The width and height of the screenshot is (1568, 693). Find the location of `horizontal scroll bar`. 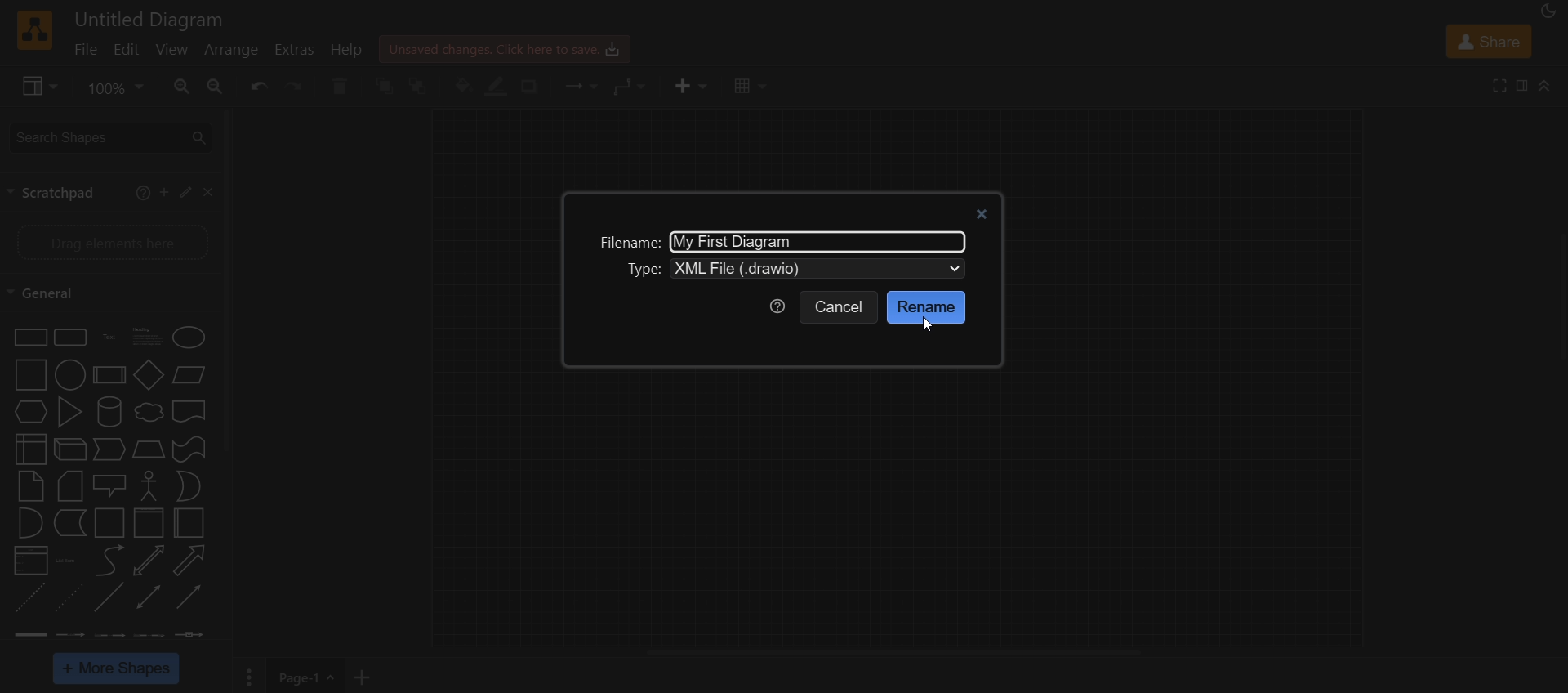

horizontal scroll bar is located at coordinates (893, 654).